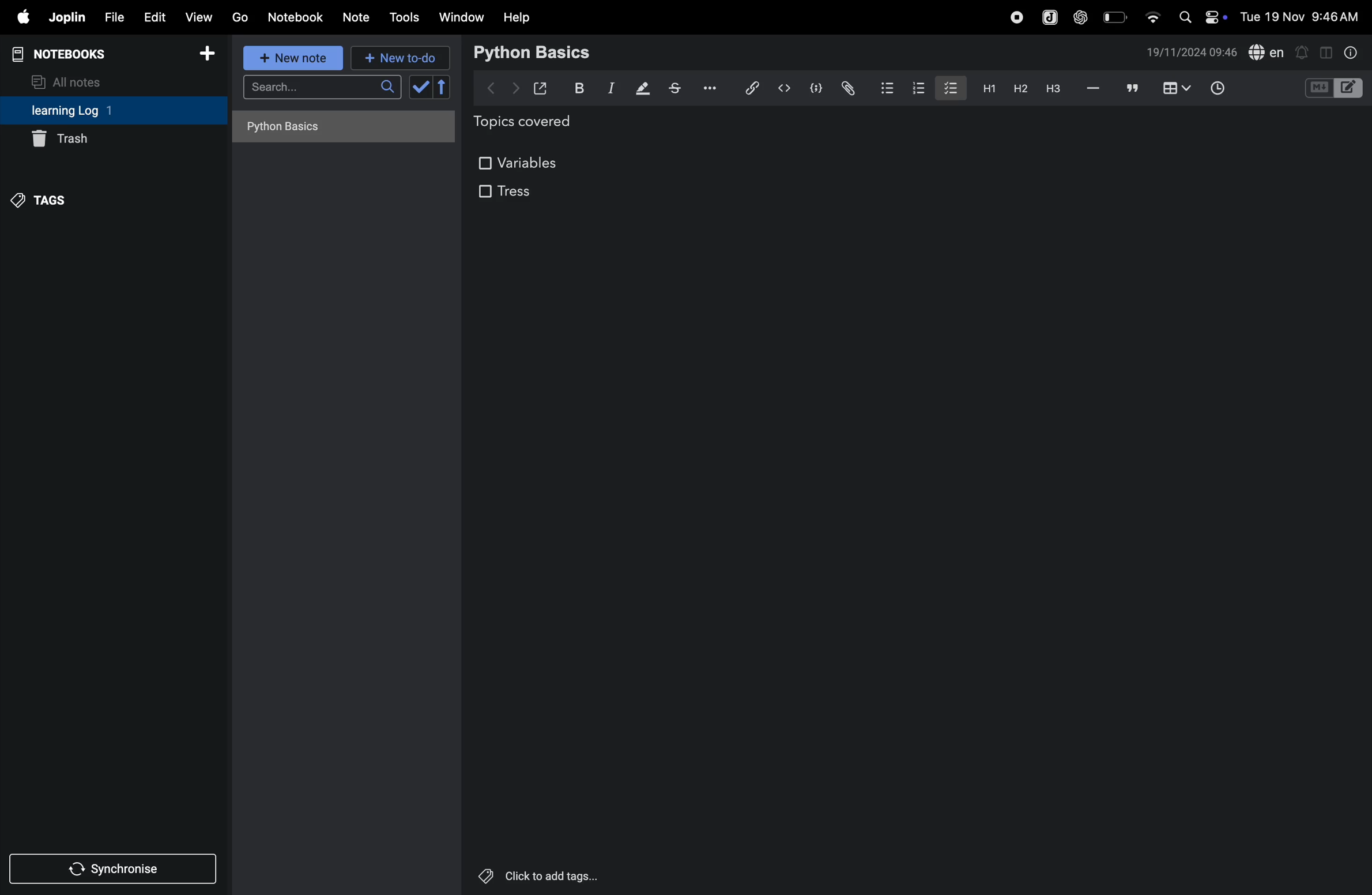 The width and height of the screenshot is (1372, 895). What do you see at coordinates (847, 88) in the screenshot?
I see `attach file` at bounding box center [847, 88].